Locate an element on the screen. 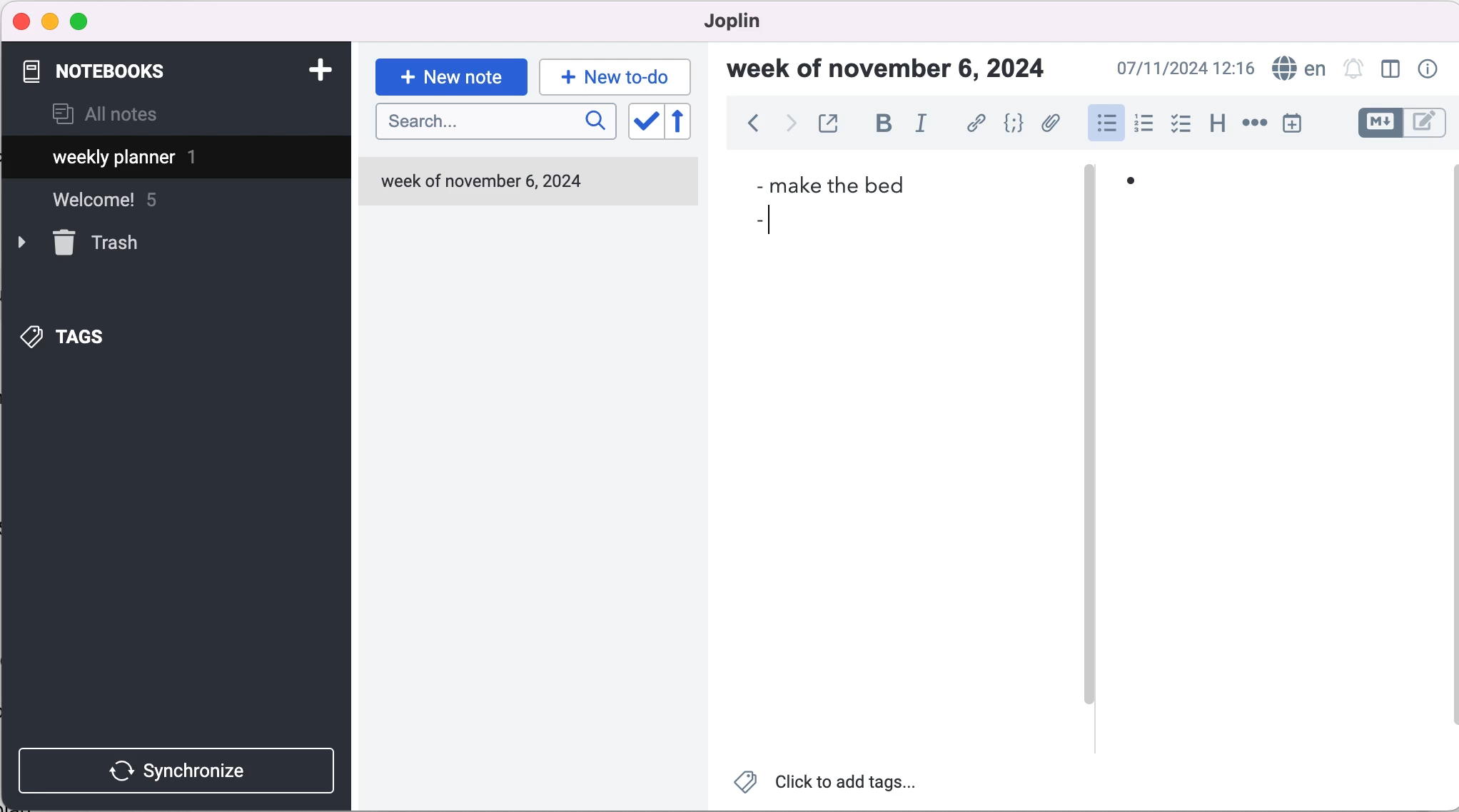 Image resolution: width=1459 pixels, height=812 pixels. toggle editor layout is located at coordinates (1394, 71).